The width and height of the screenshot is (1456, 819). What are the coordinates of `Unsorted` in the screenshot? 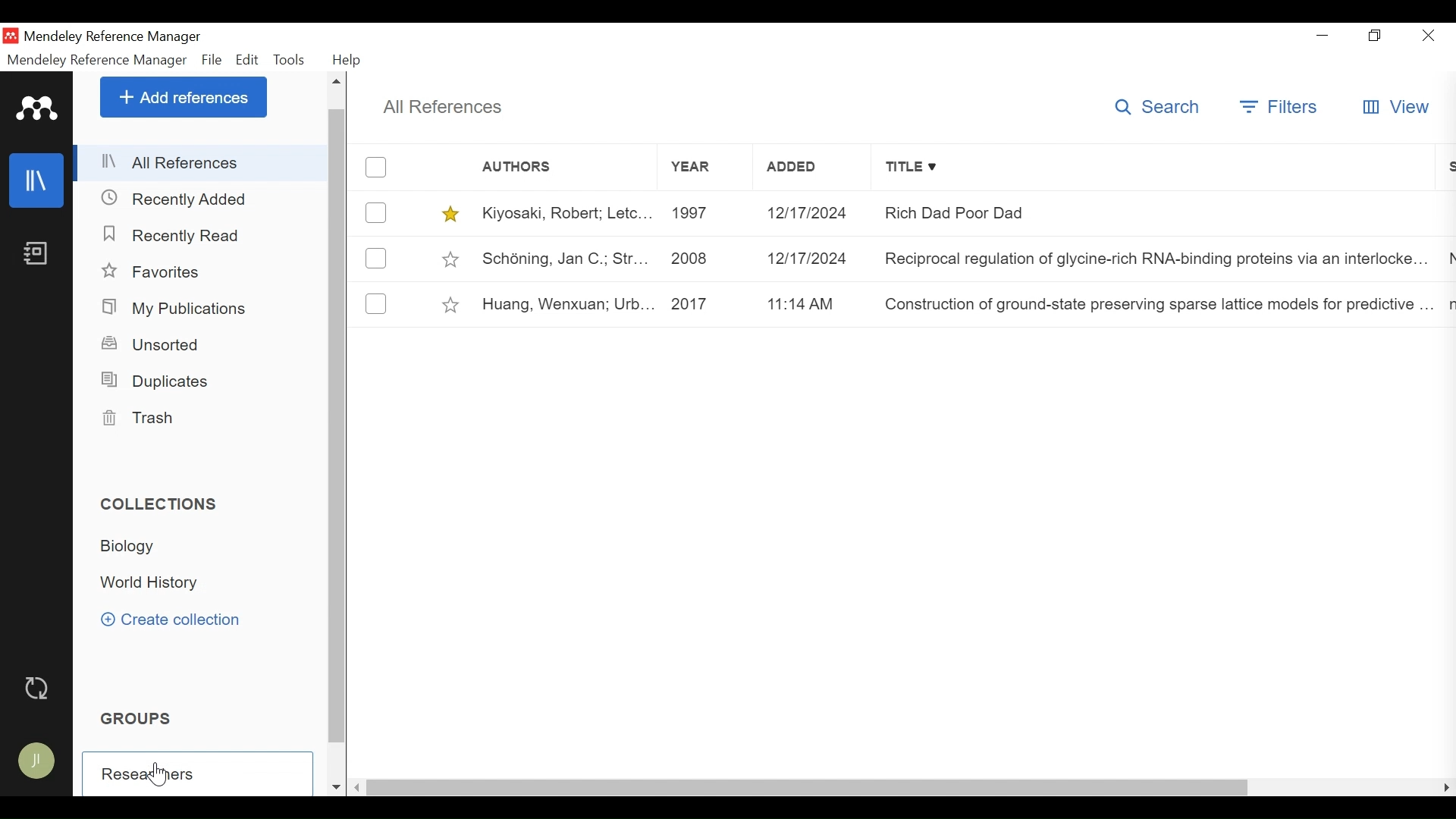 It's located at (156, 344).